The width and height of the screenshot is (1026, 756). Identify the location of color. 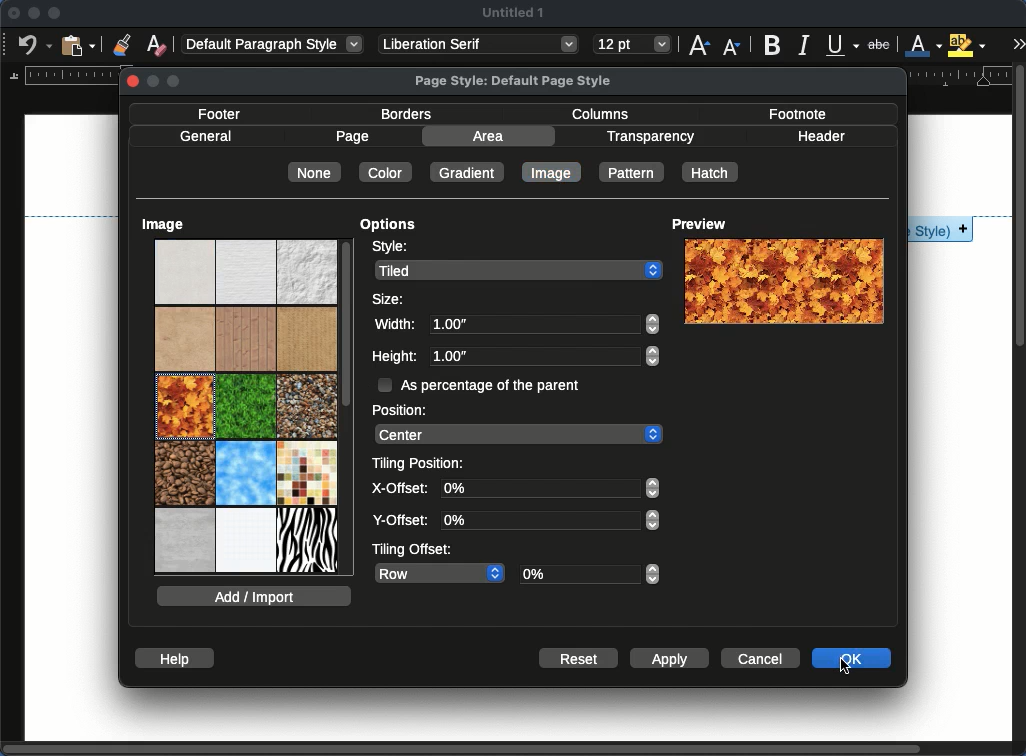
(385, 171).